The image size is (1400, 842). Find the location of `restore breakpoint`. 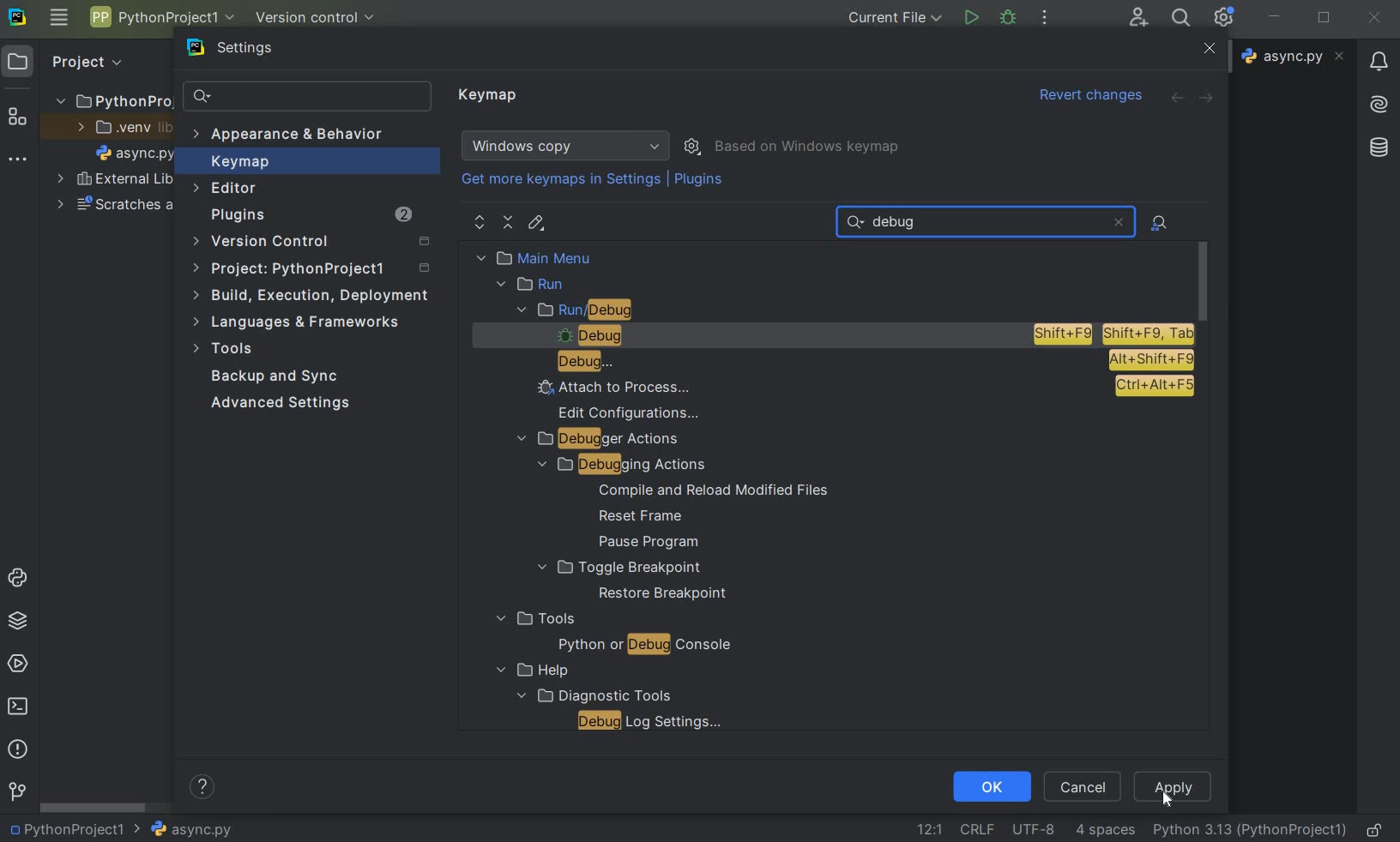

restore breakpoint is located at coordinates (664, 594).